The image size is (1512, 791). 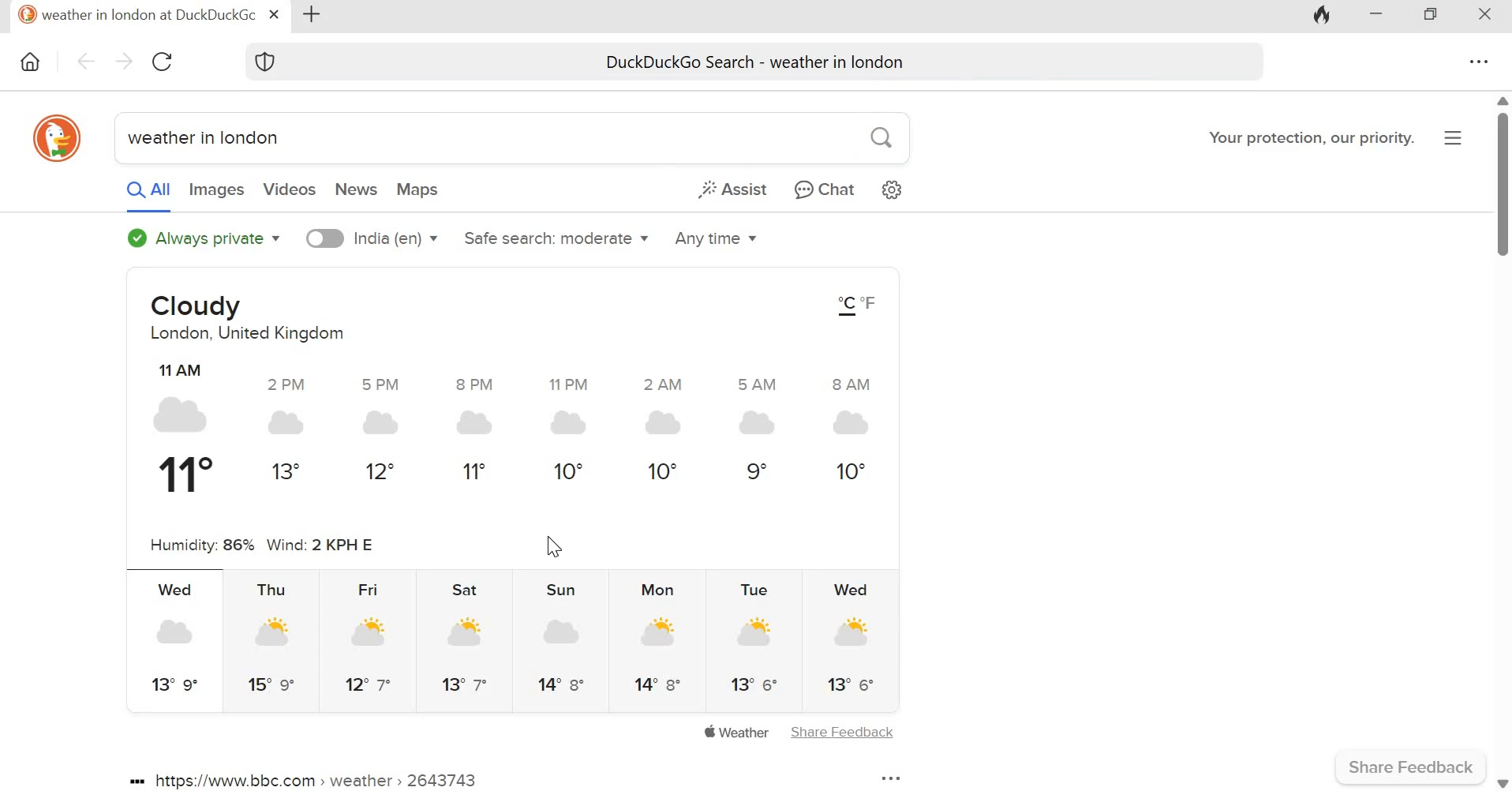 I want to click on 13° 9°, so click(x=175, y=685).